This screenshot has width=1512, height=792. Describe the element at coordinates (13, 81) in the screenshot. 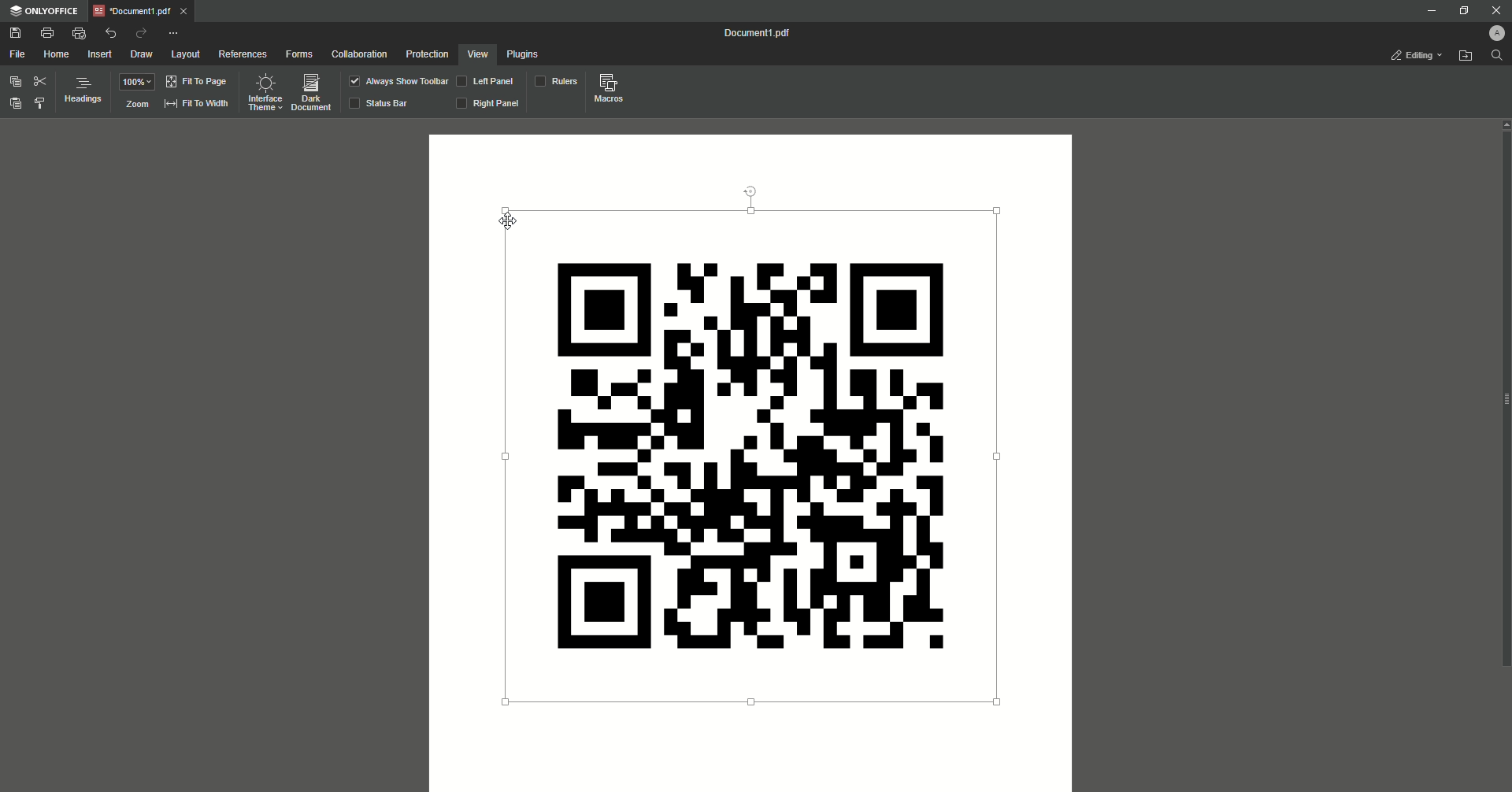

I see `Copy` at that location.